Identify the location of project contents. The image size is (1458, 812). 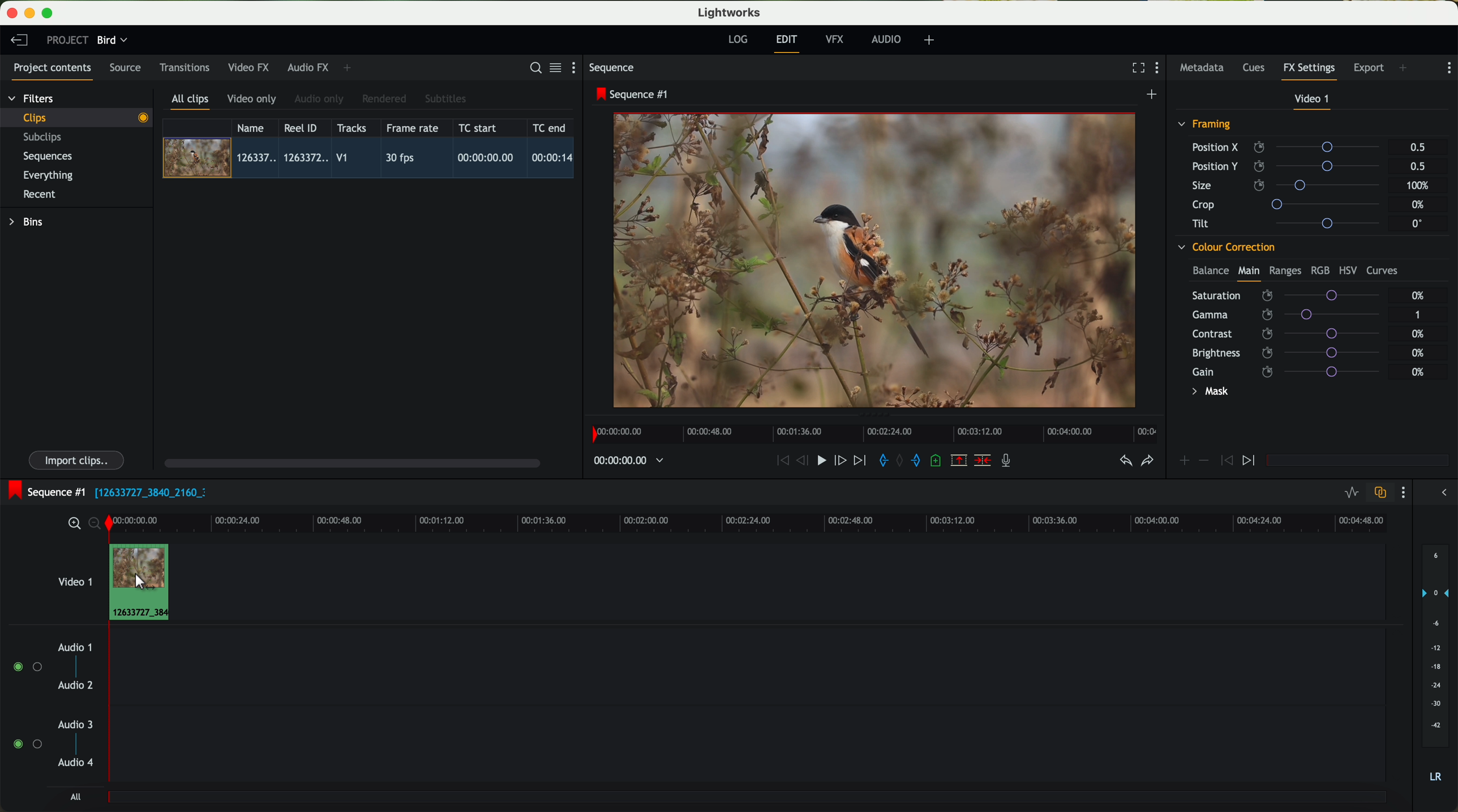
(53, 71).